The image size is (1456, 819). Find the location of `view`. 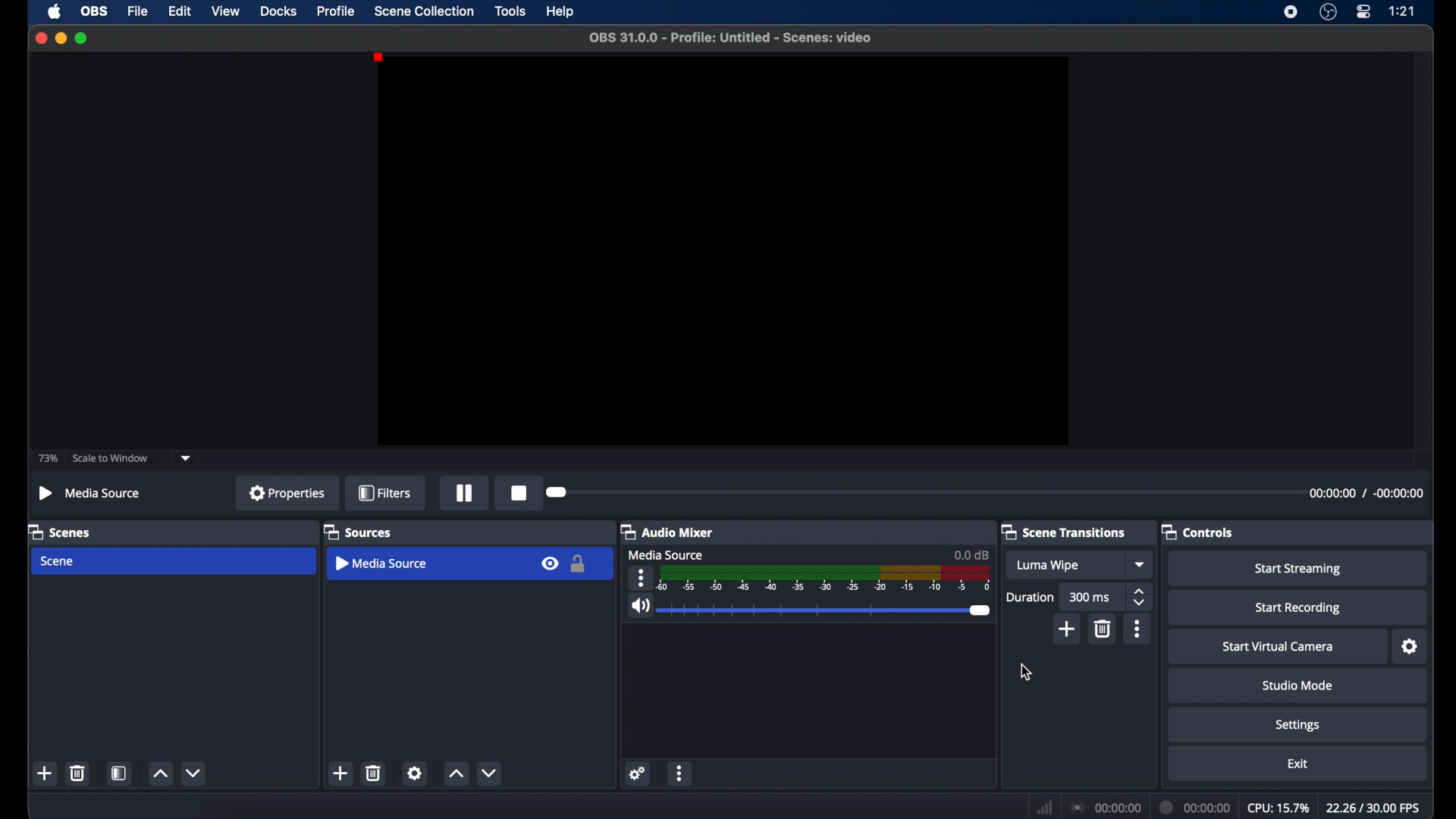

view is located at coordinates (227, 12).